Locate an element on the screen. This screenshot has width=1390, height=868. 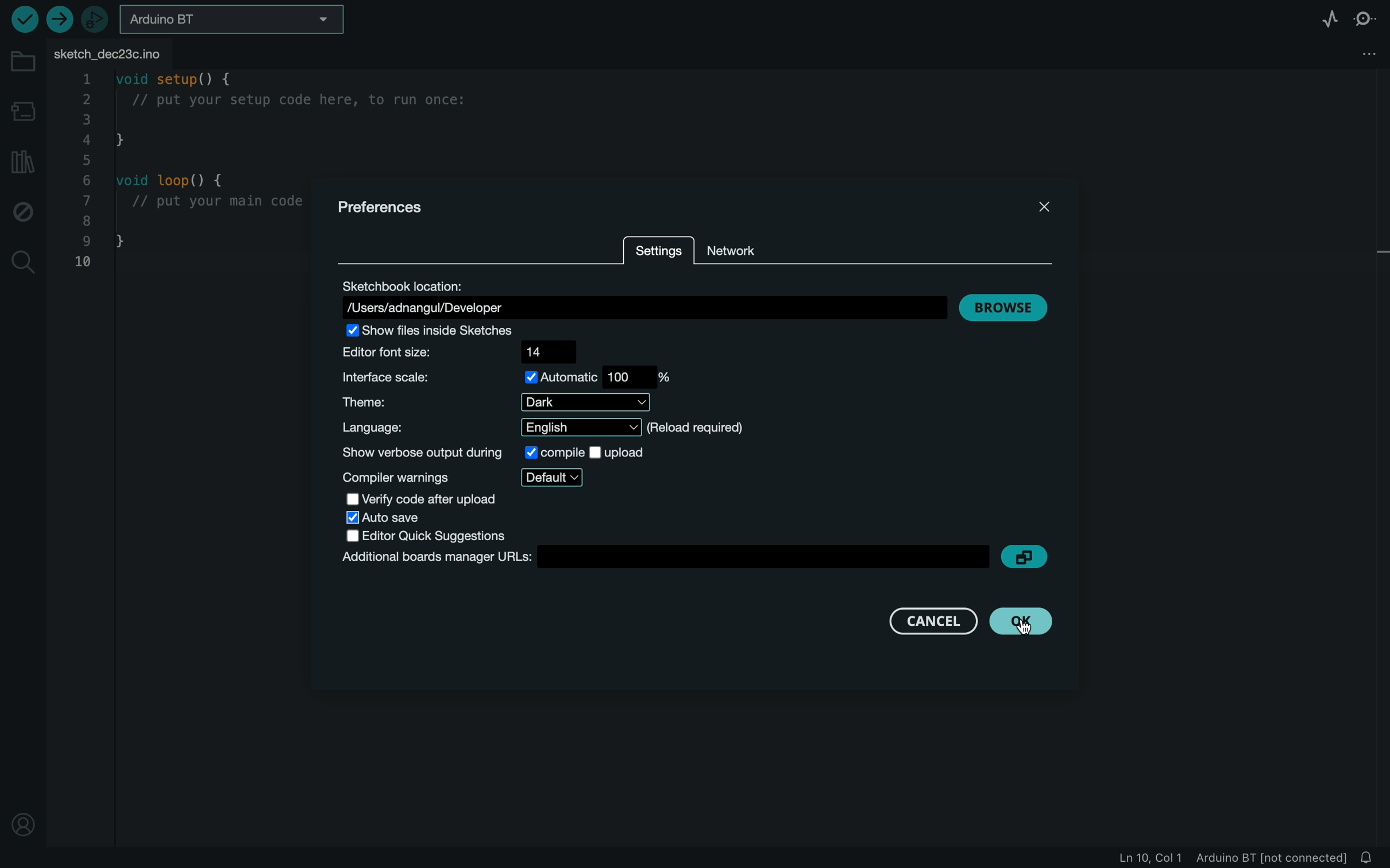
profile is located at coordinates (22, 821).